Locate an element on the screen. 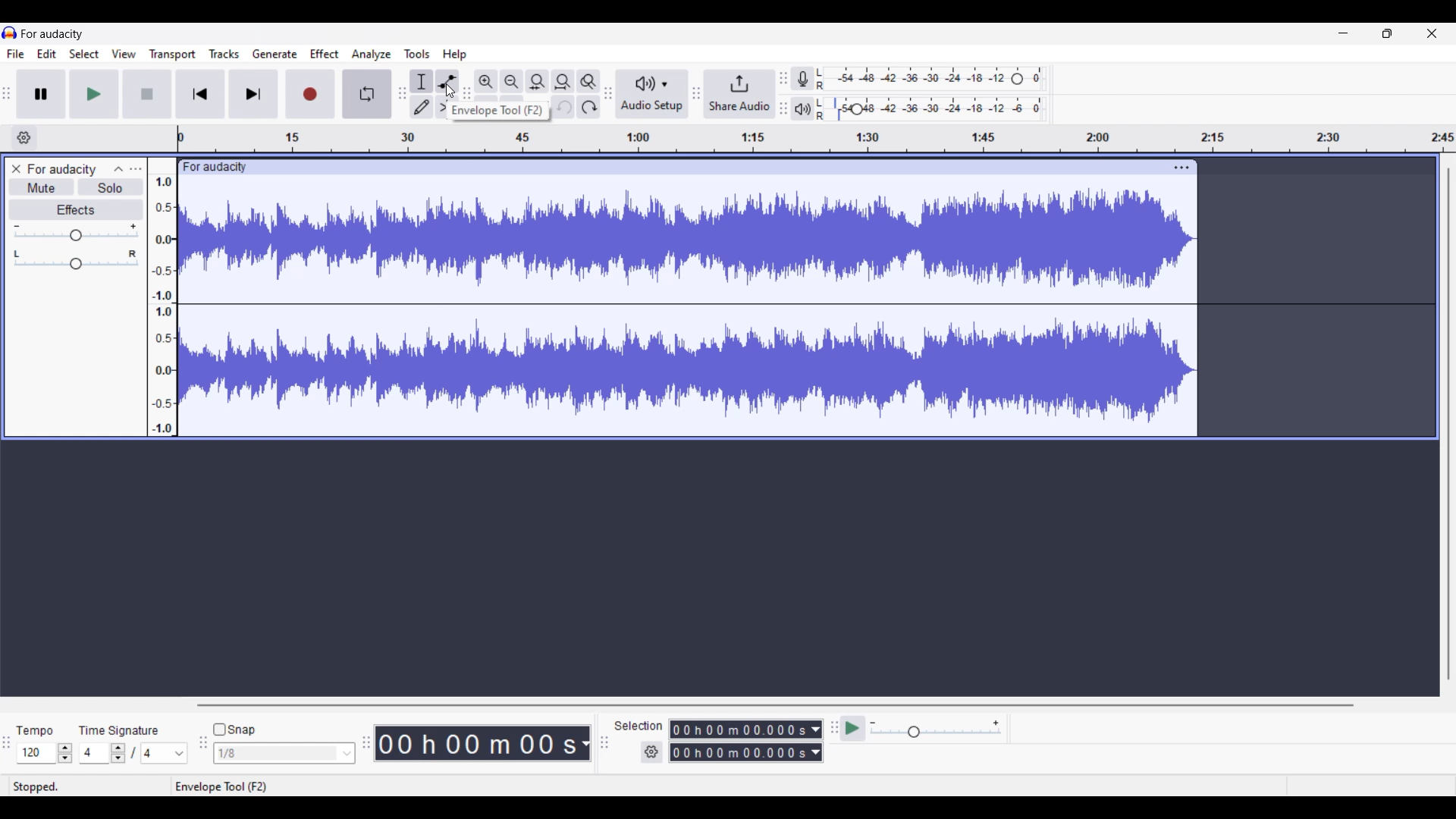  Volume slider is located at coordinates (77, 233).